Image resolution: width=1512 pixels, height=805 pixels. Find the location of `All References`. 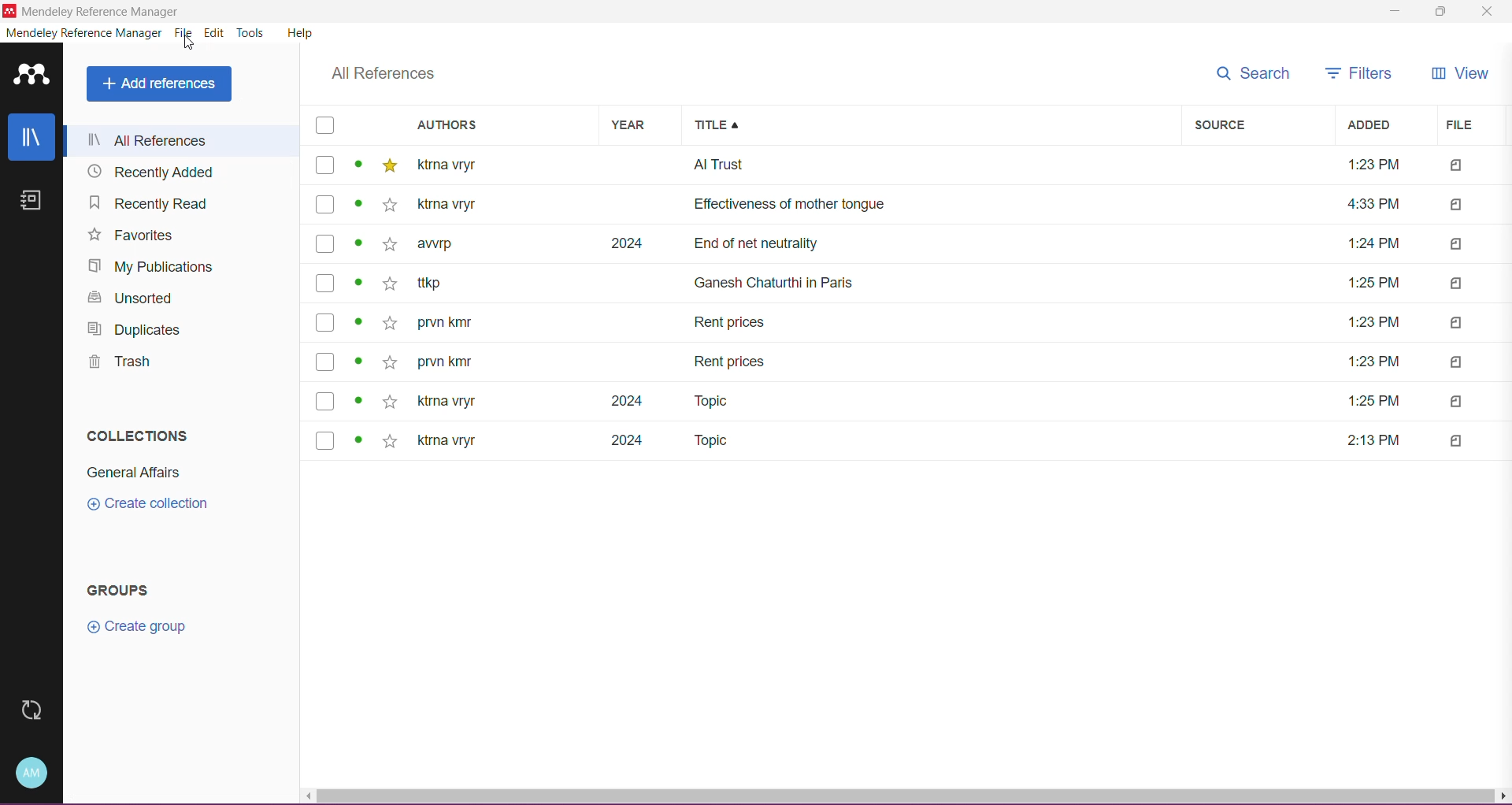

All References is located at coordinates (182, 141).